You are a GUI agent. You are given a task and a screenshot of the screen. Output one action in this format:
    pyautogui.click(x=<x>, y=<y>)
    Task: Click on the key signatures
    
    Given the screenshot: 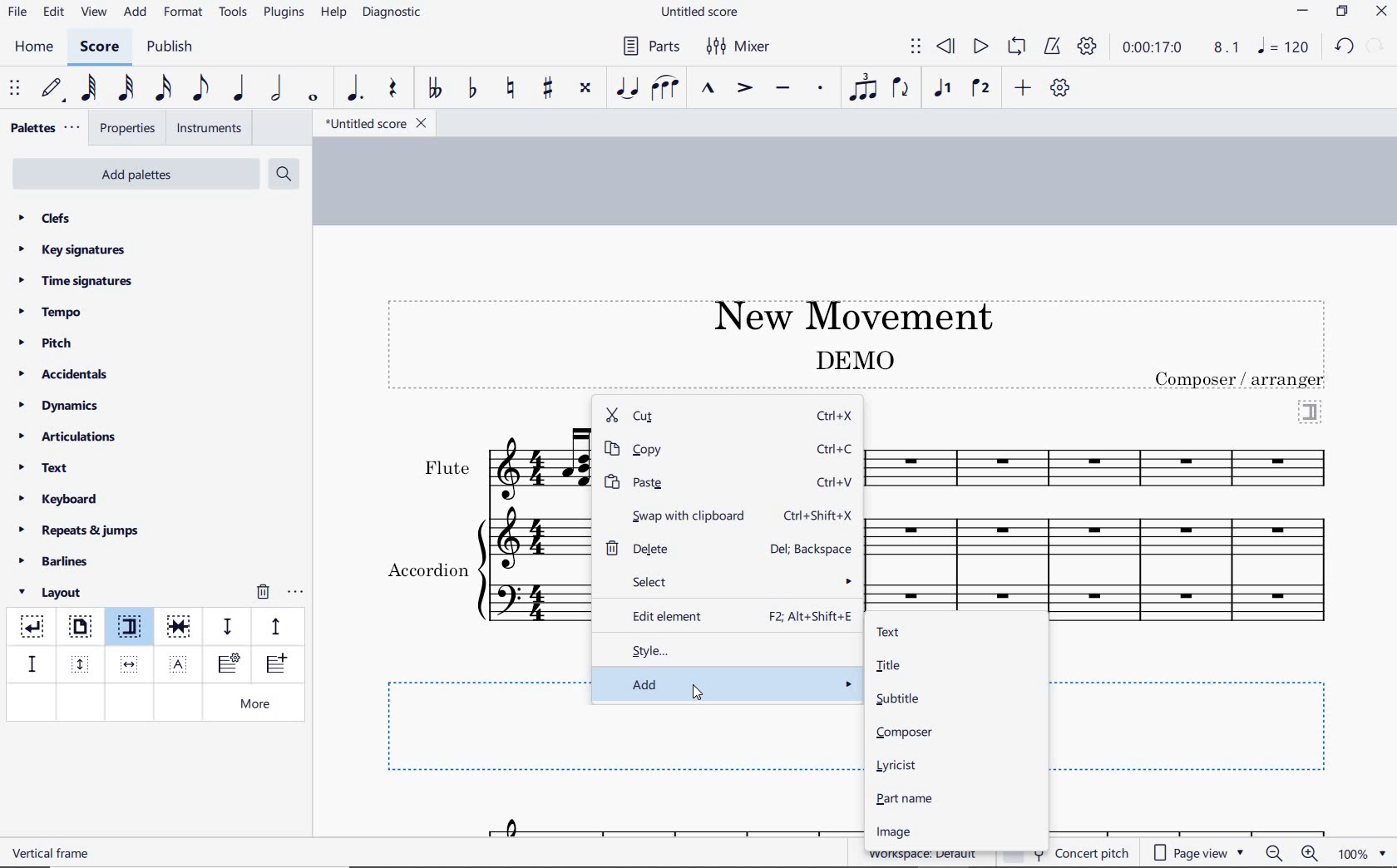 What is the action you would take?
    pyautogui.click(x=71, y=249)
    